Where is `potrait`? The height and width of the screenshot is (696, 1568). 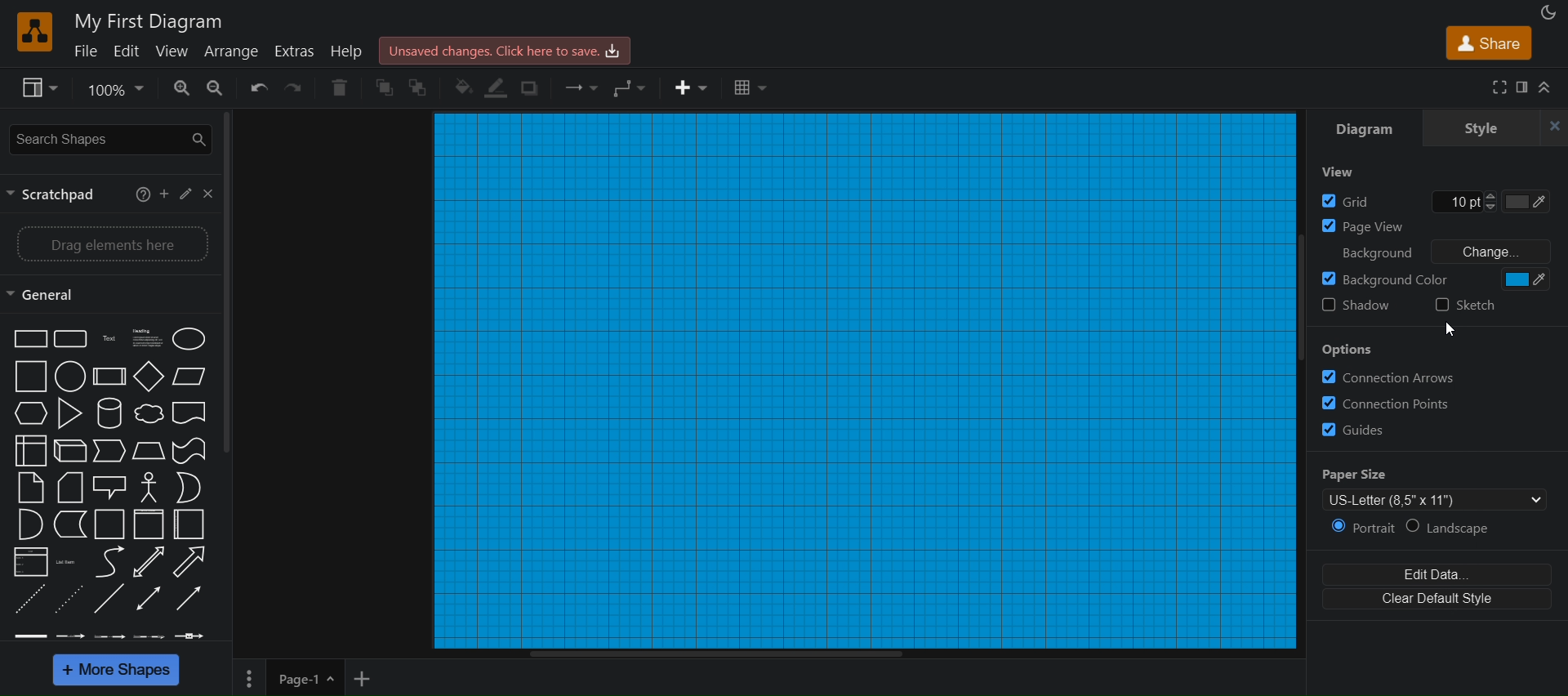 potrait is located at coordinates (1363, 529).